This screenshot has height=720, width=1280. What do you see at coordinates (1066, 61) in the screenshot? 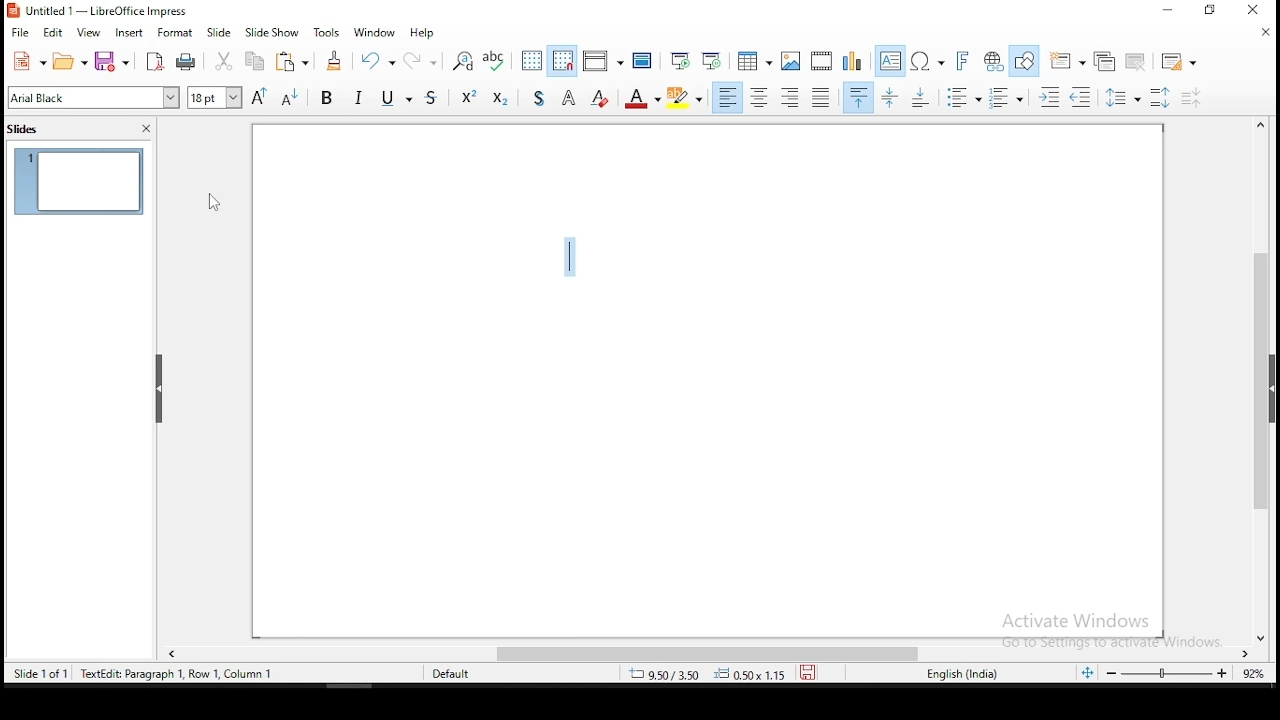
I see `new slide` at bounding box center [1066, 61].